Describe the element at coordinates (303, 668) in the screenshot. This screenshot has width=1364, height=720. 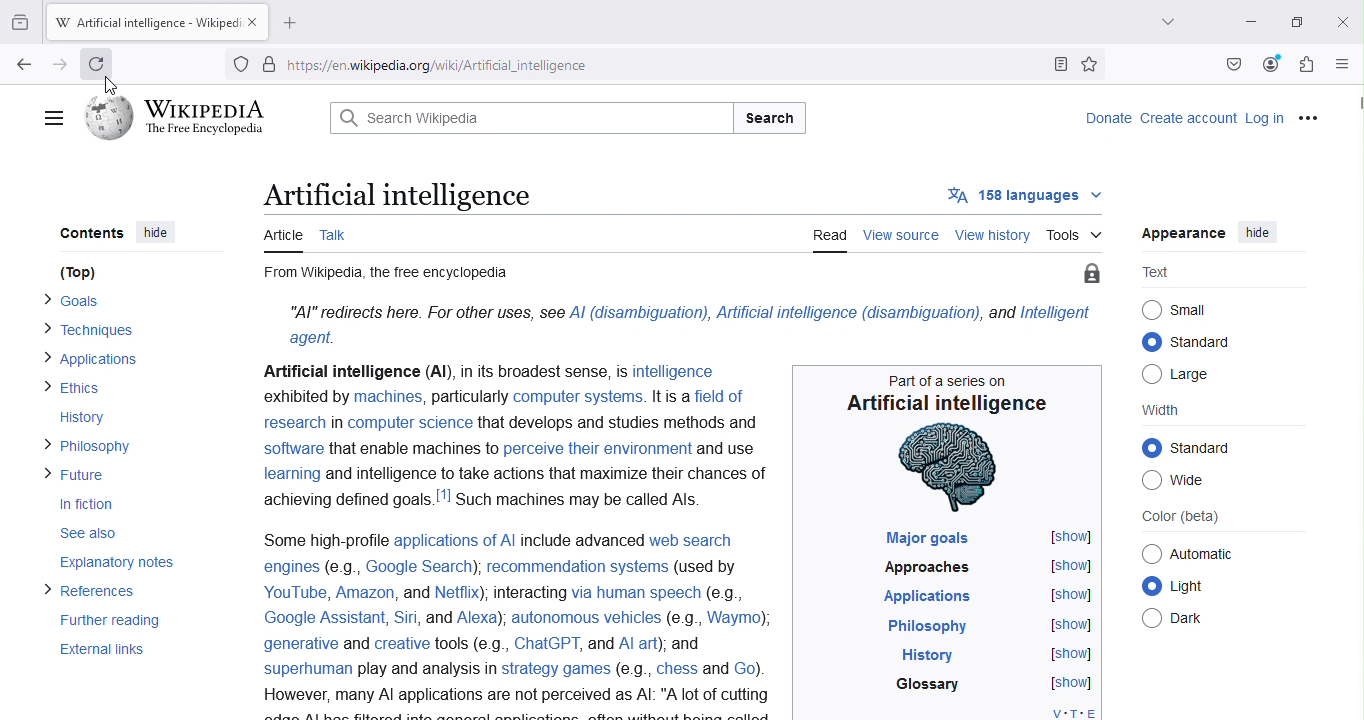
I see `superhuman` at that location.